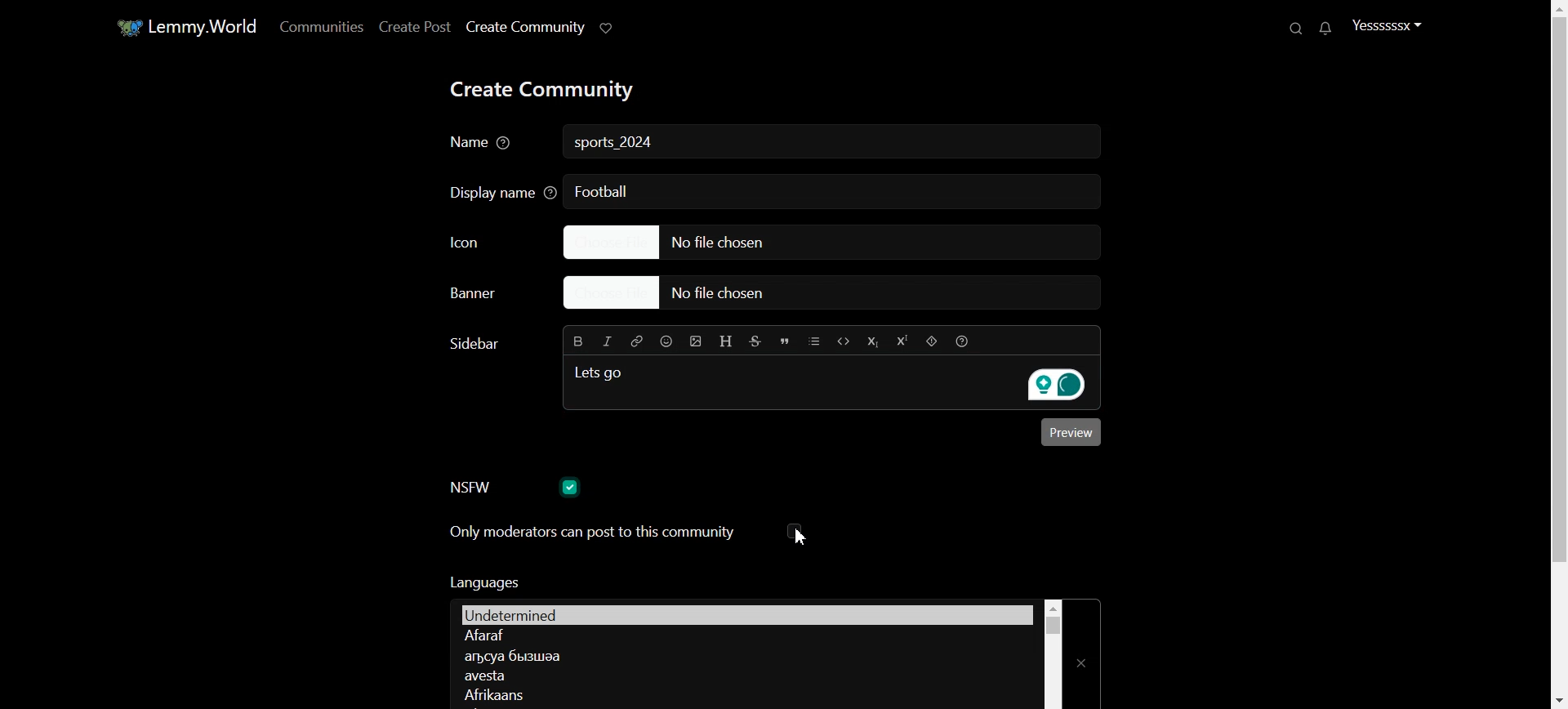  I want to click on Languages, so click(746, 613).